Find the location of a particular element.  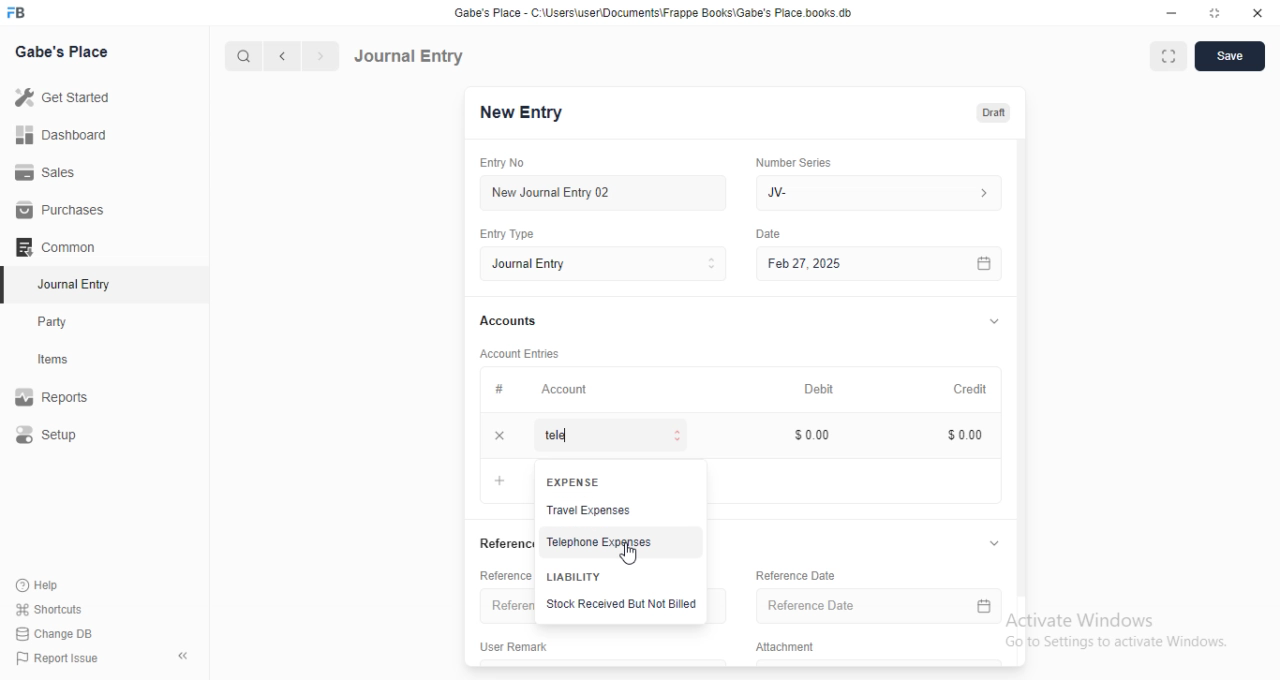

Help is located at coordinates (36, 585).